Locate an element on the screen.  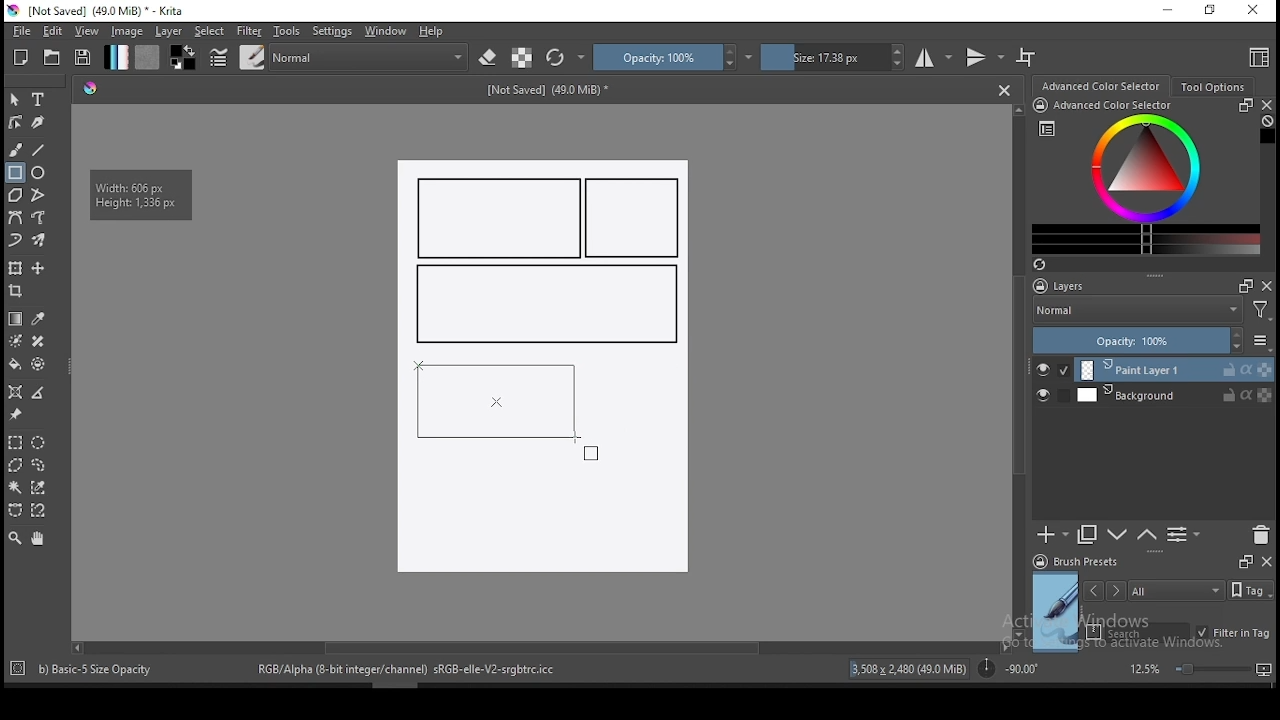
new is located at coordinates (21, 57).